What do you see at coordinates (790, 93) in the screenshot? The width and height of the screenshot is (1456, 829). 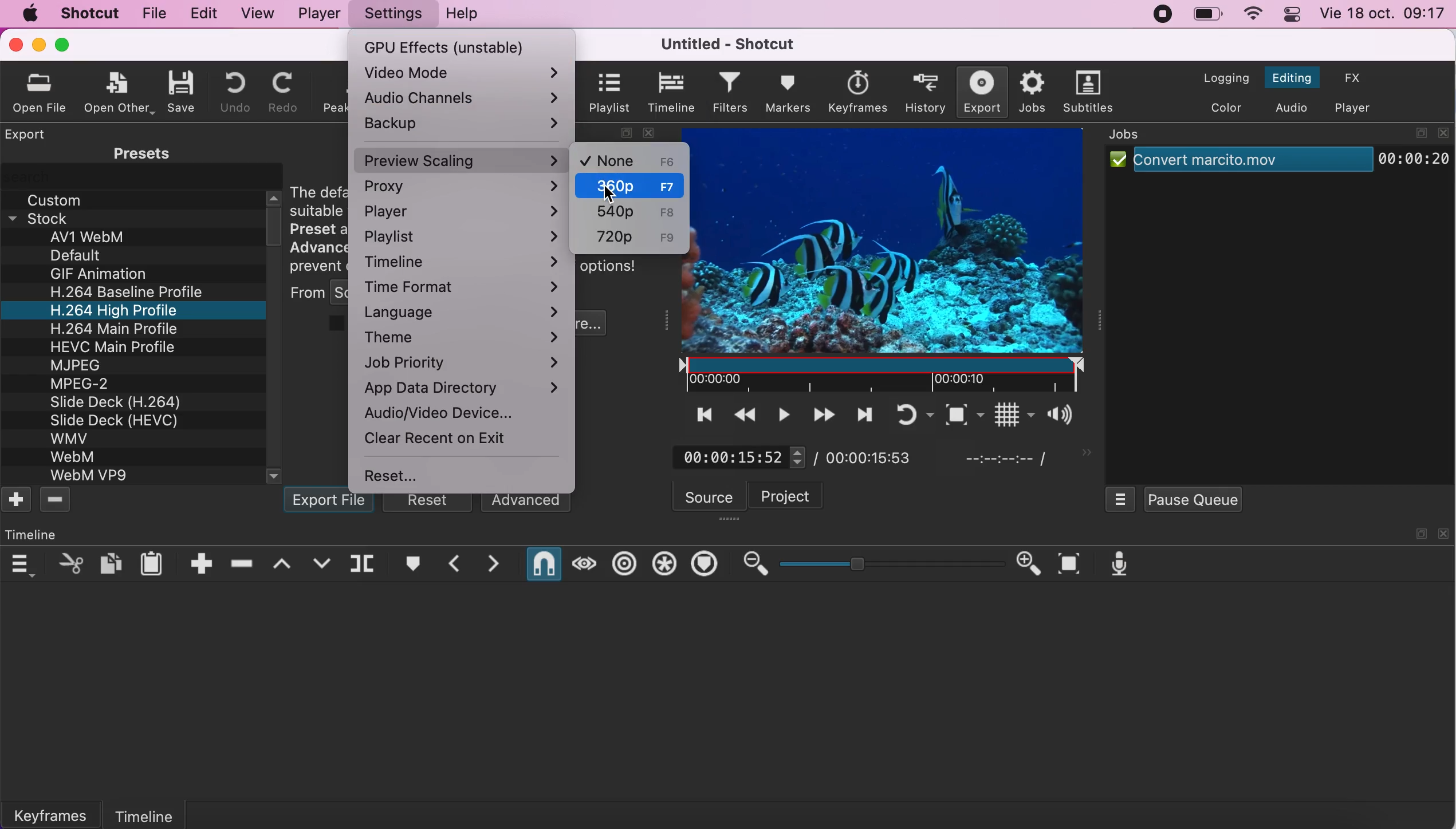 I see `markers` at bounding box center [790, 93].